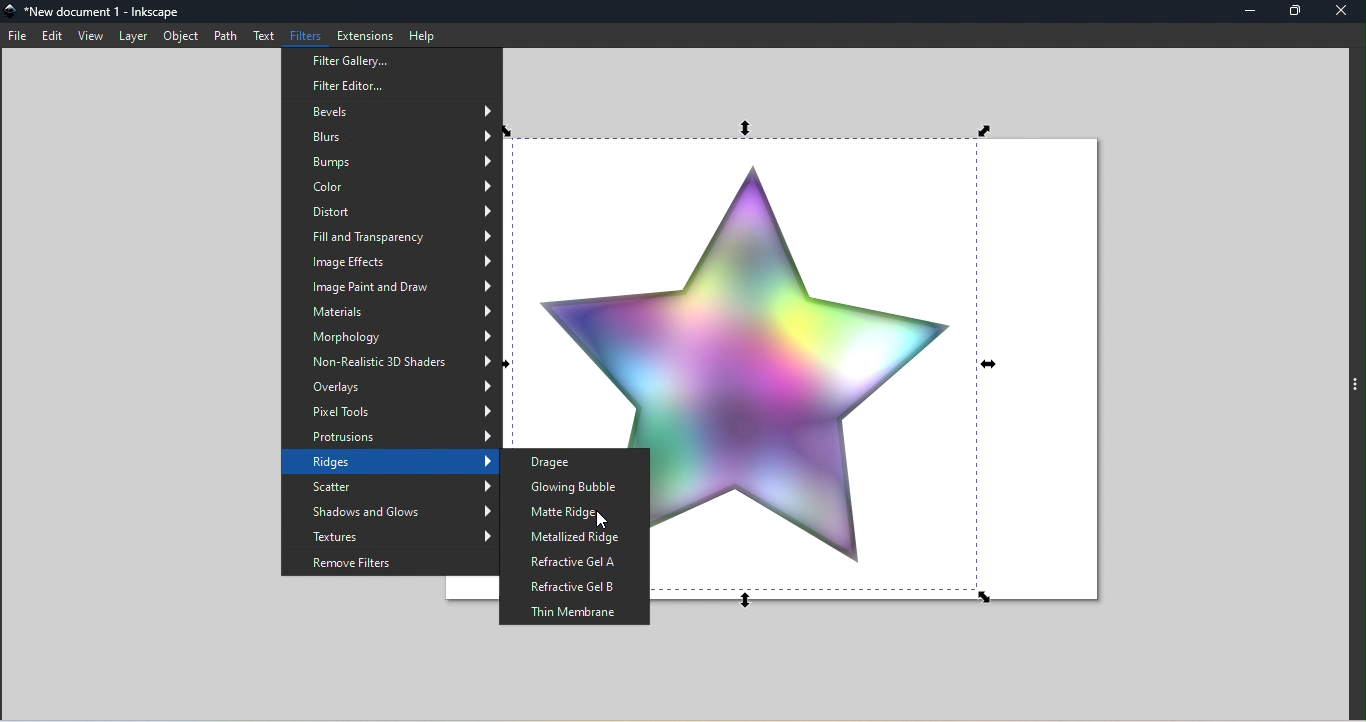 Image resolution: width=1366 pixels, height=722 pixels. Describe the element at coordinates (393, 363) in the screenshot. I see `Non-realistic 3D Shades` at that location.